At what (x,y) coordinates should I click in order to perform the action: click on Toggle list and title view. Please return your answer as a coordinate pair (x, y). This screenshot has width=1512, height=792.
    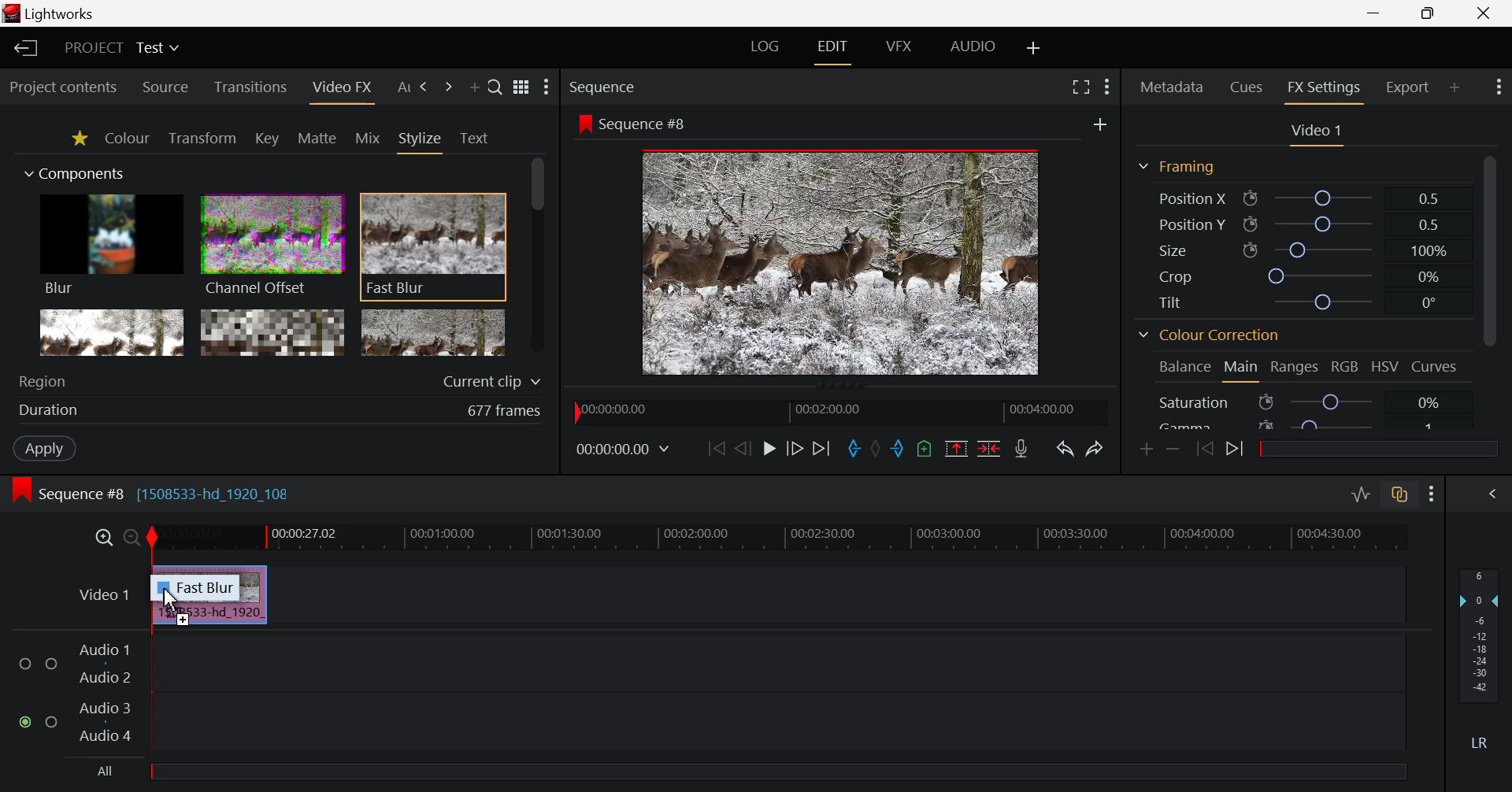
    Looking at the image, I should click on (521, 87).